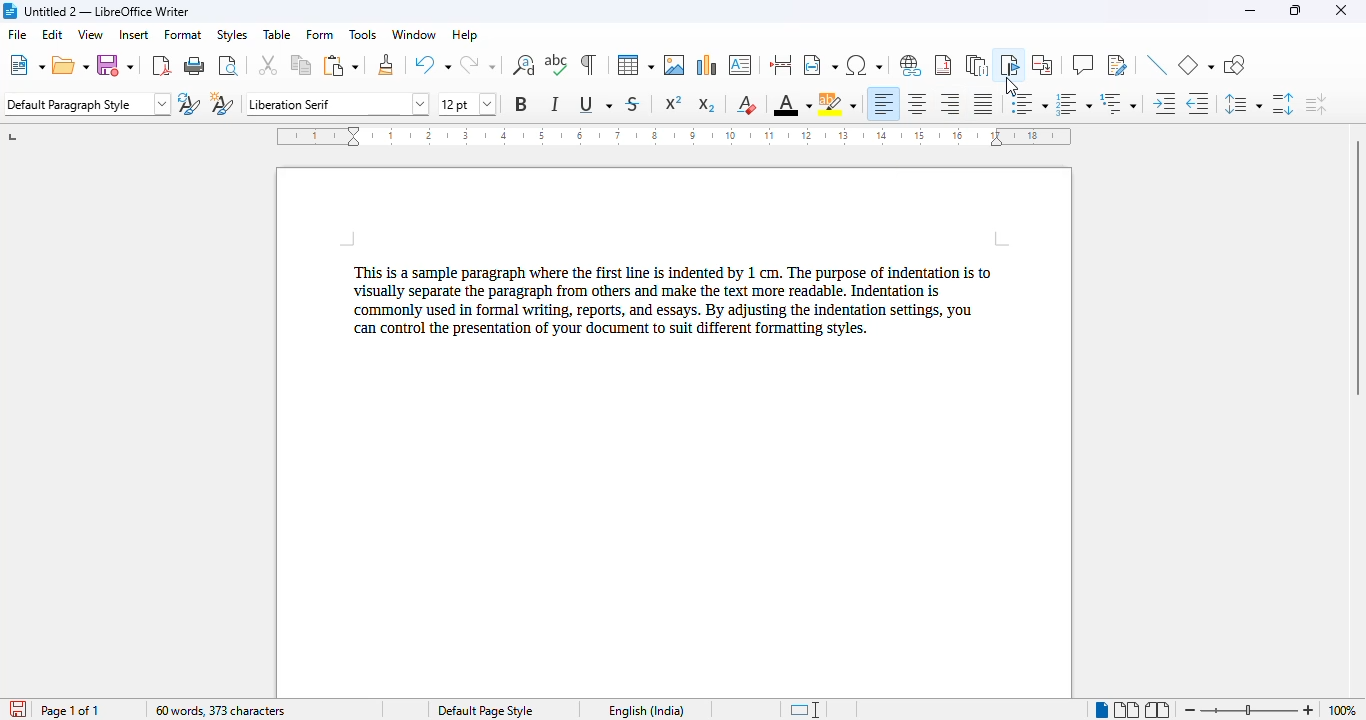 This screenshot has width=1366, height=720. Describe the element at coordinates (1253, 710) in the screenshot. I see `zoom slider` at that location.